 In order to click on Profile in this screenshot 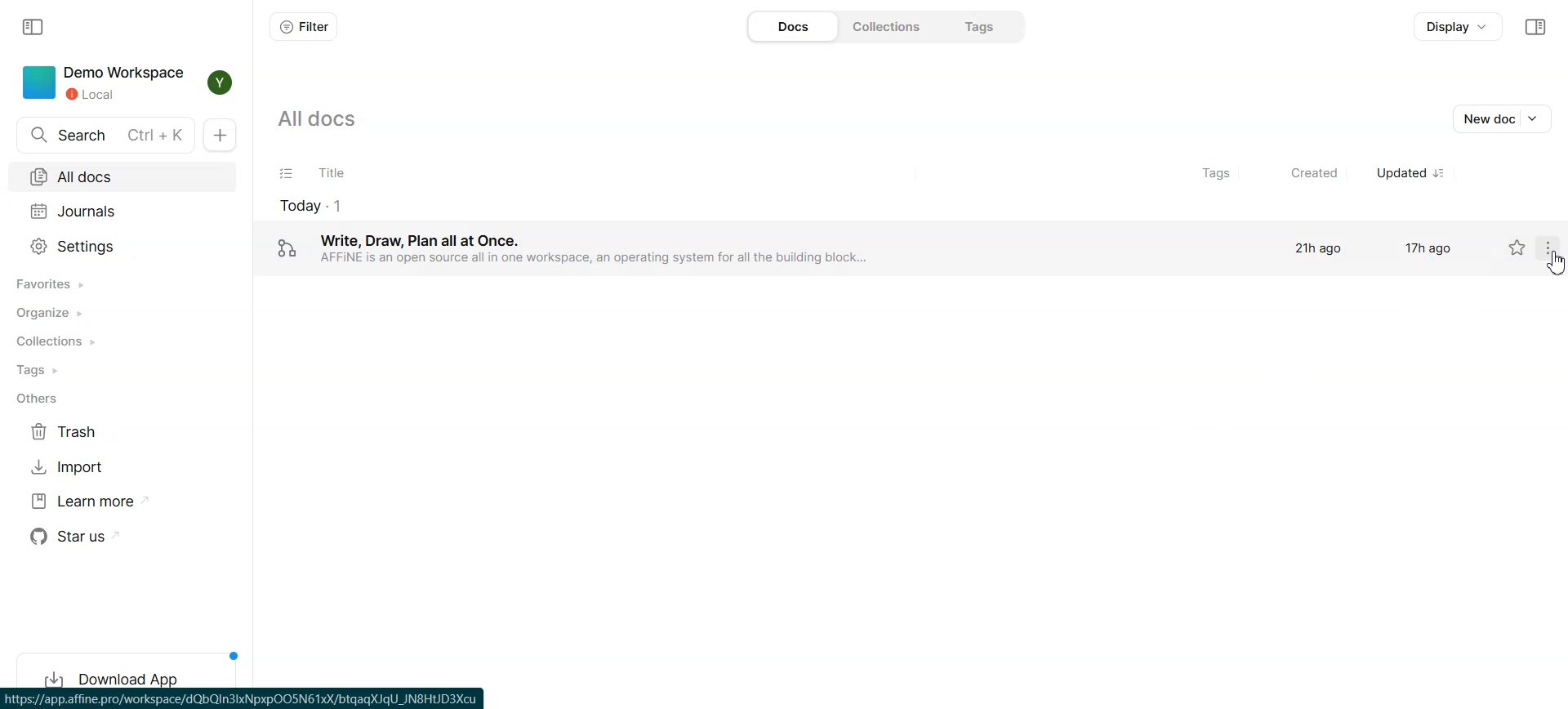, I will do `click(221, 82)`.